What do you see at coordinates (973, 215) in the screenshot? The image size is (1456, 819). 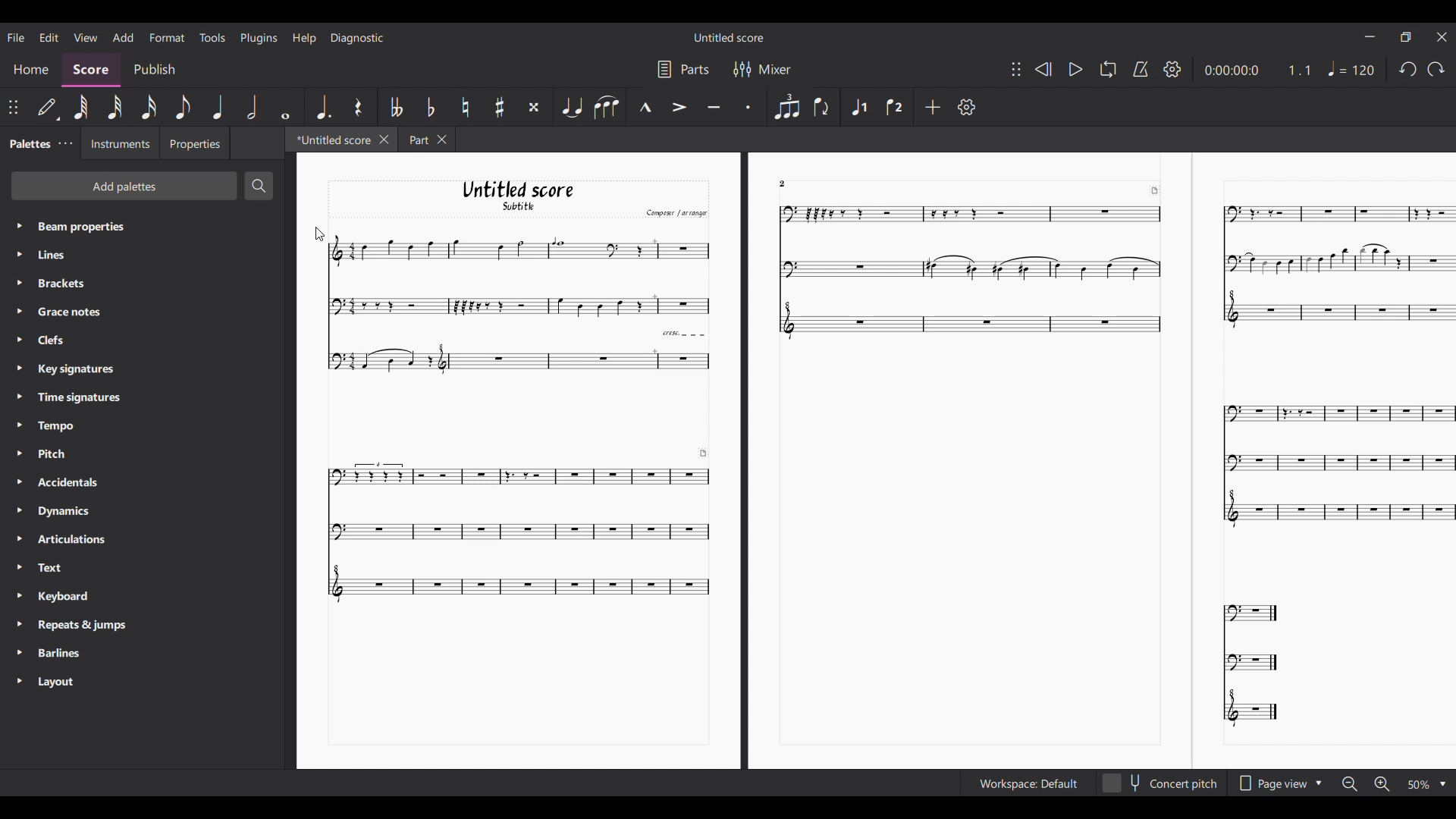 I see `` at bounding box center [973, 215].